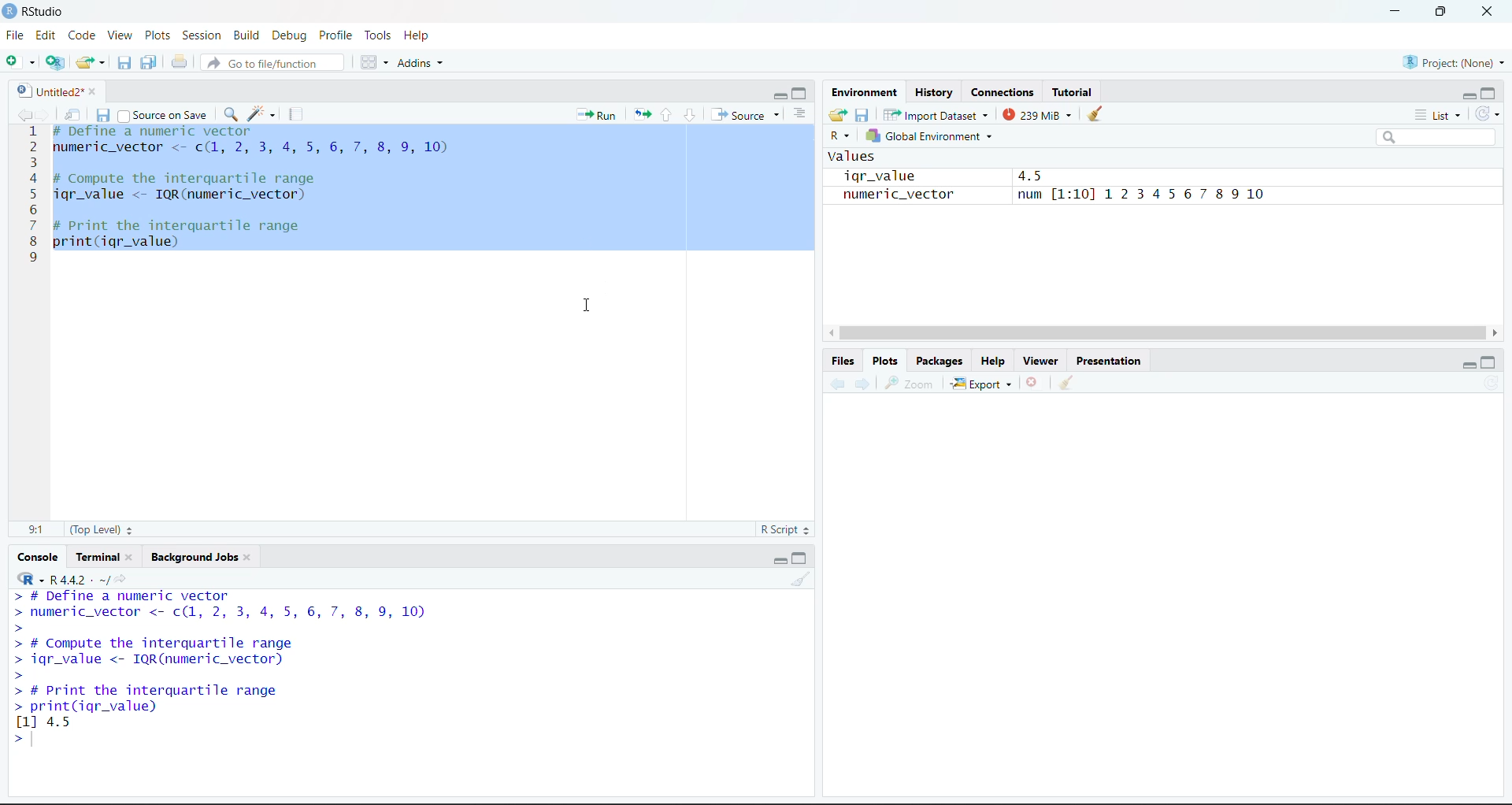  Describe the element at coordinates (195, 556) in the screenshot. I see `Background Jobs` at that location.